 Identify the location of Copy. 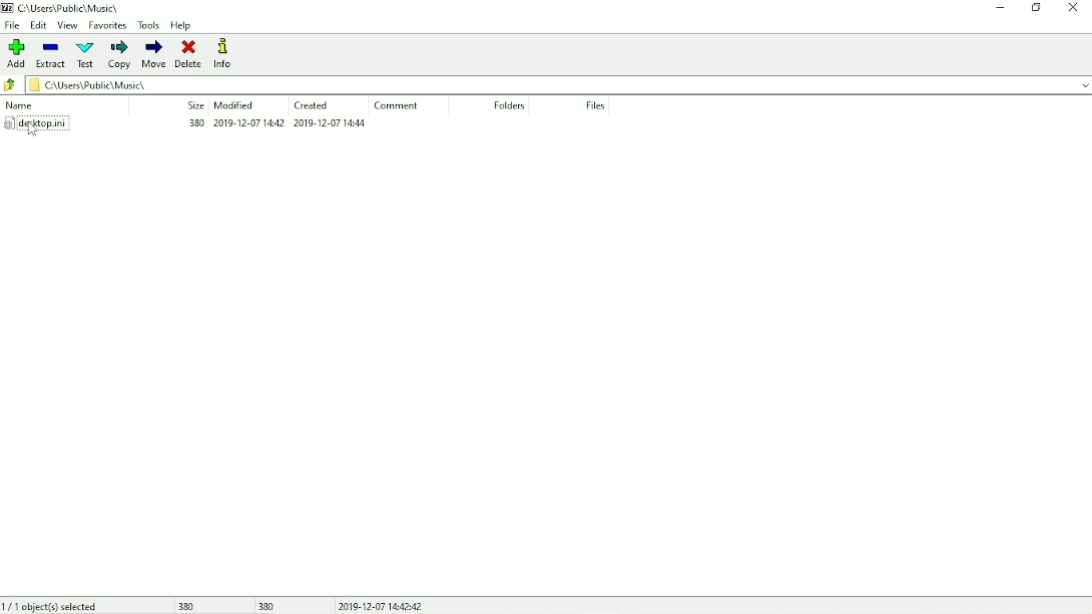
(121, 55).